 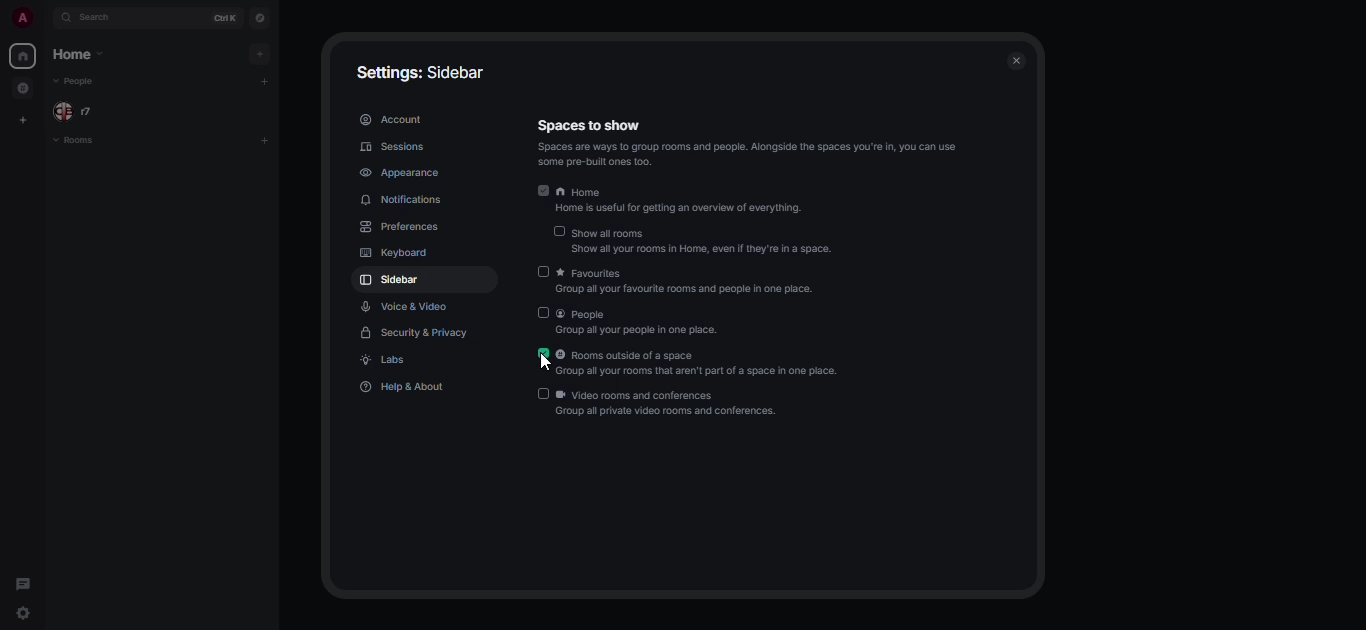 I want to click on ctrl K, so click(x=222, y=18).